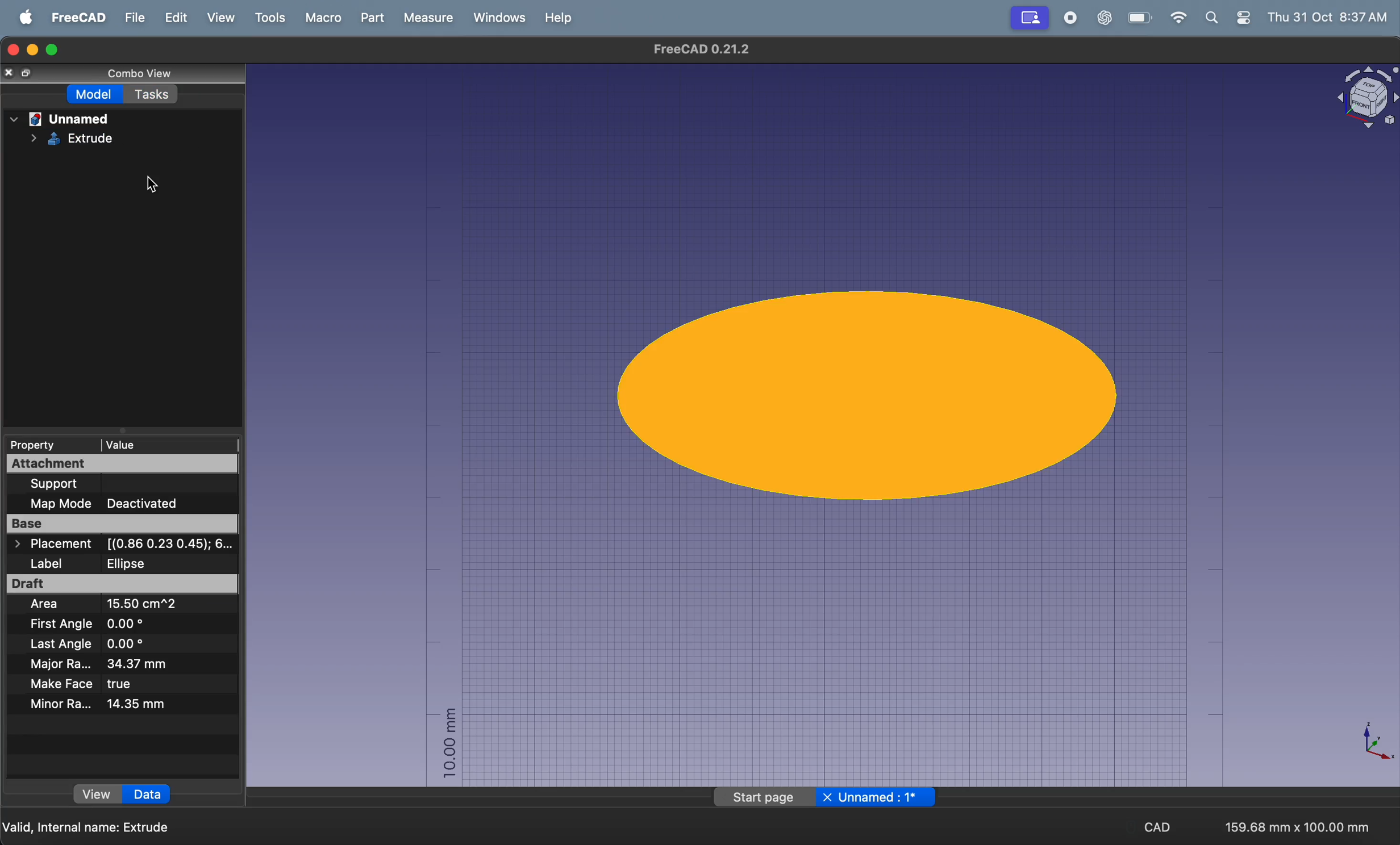 The width and height of the screenshot is (1400, 845). Describe the element at coordinates (55, 504) in the screenshot. I see `map mode` at that location.